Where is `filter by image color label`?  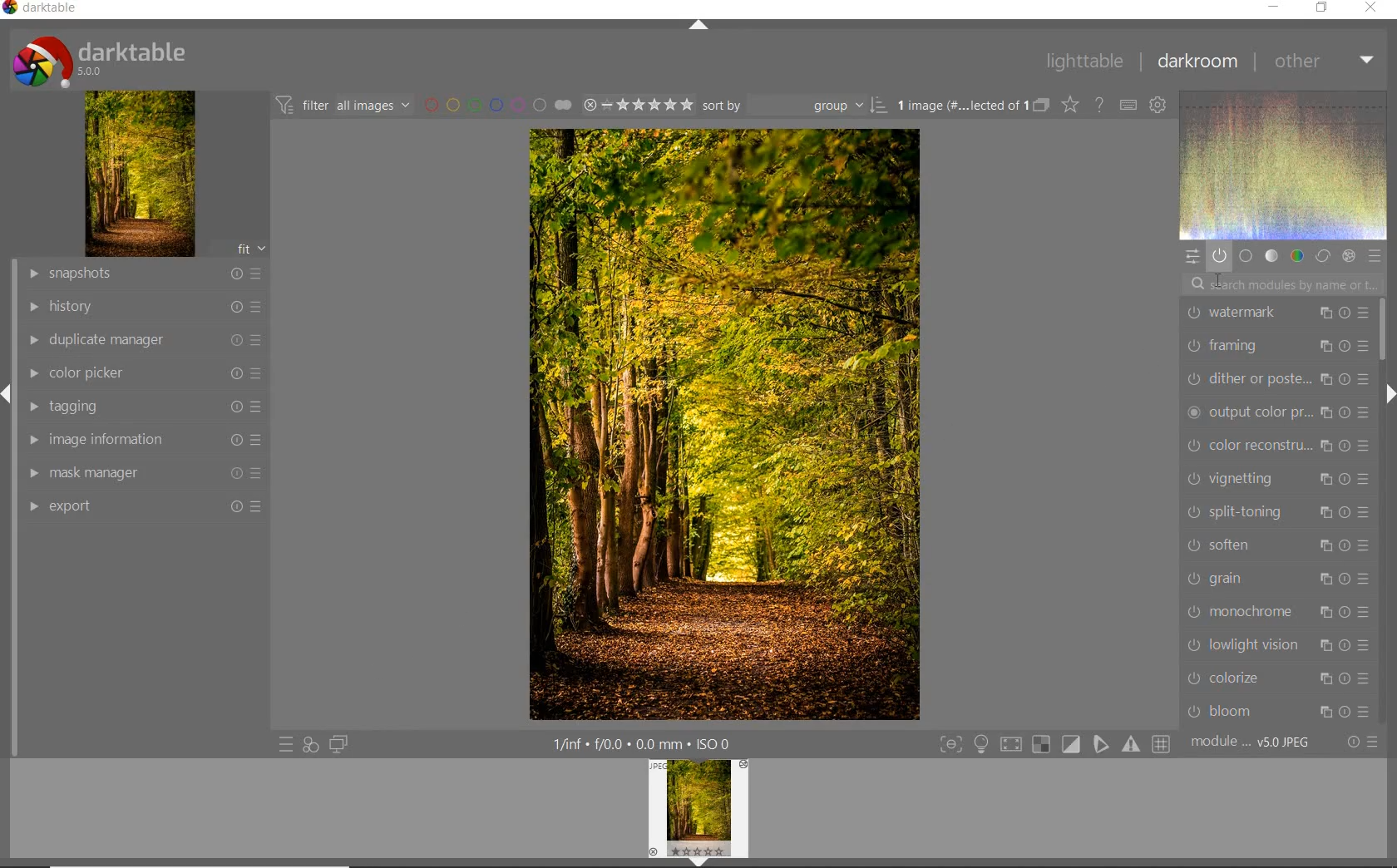
filter by image color label is located at coordinates (496, 105).